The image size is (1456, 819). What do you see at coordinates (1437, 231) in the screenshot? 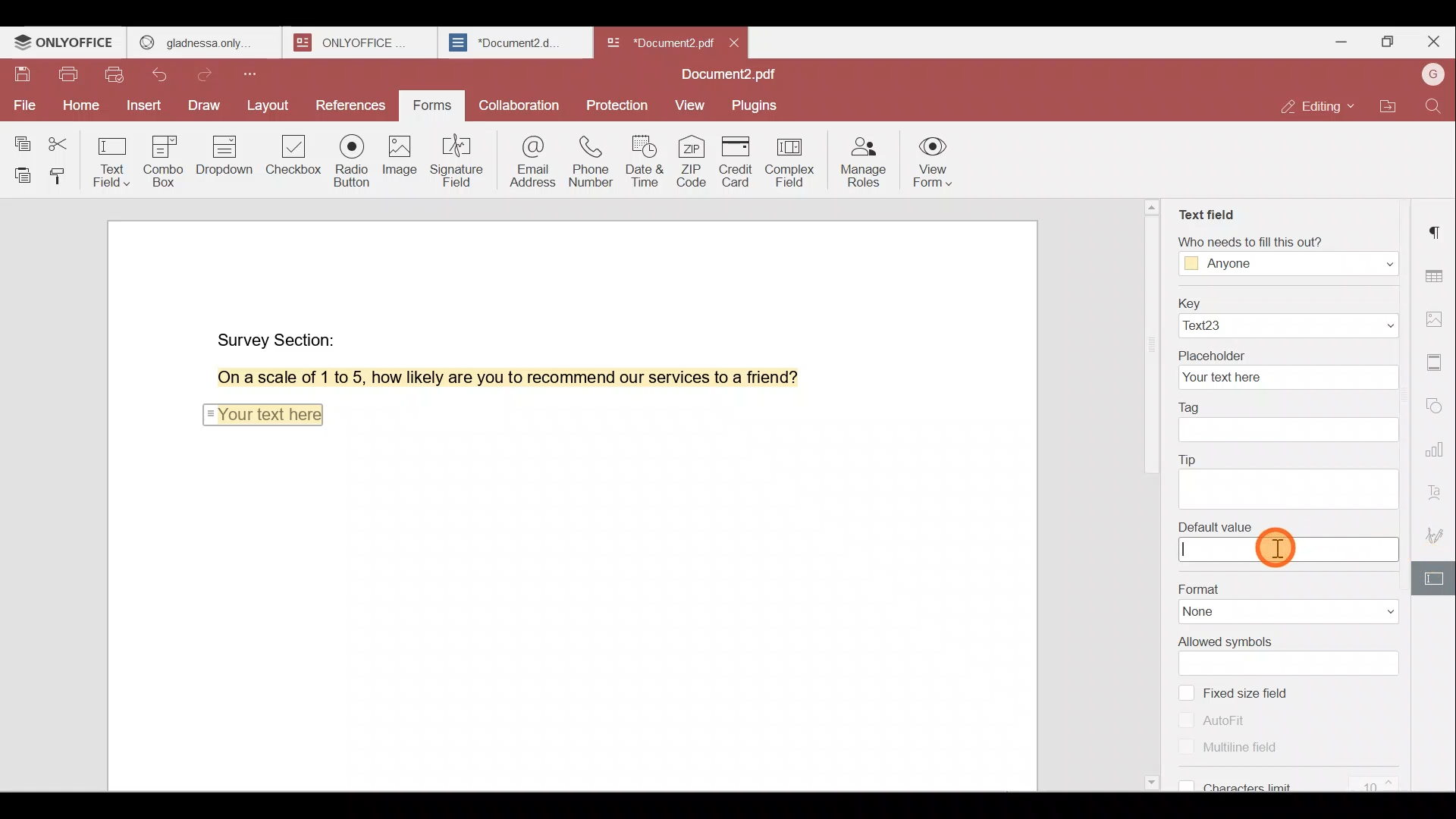
I see `Paragraph settings` at bounding box center [1437, 231].